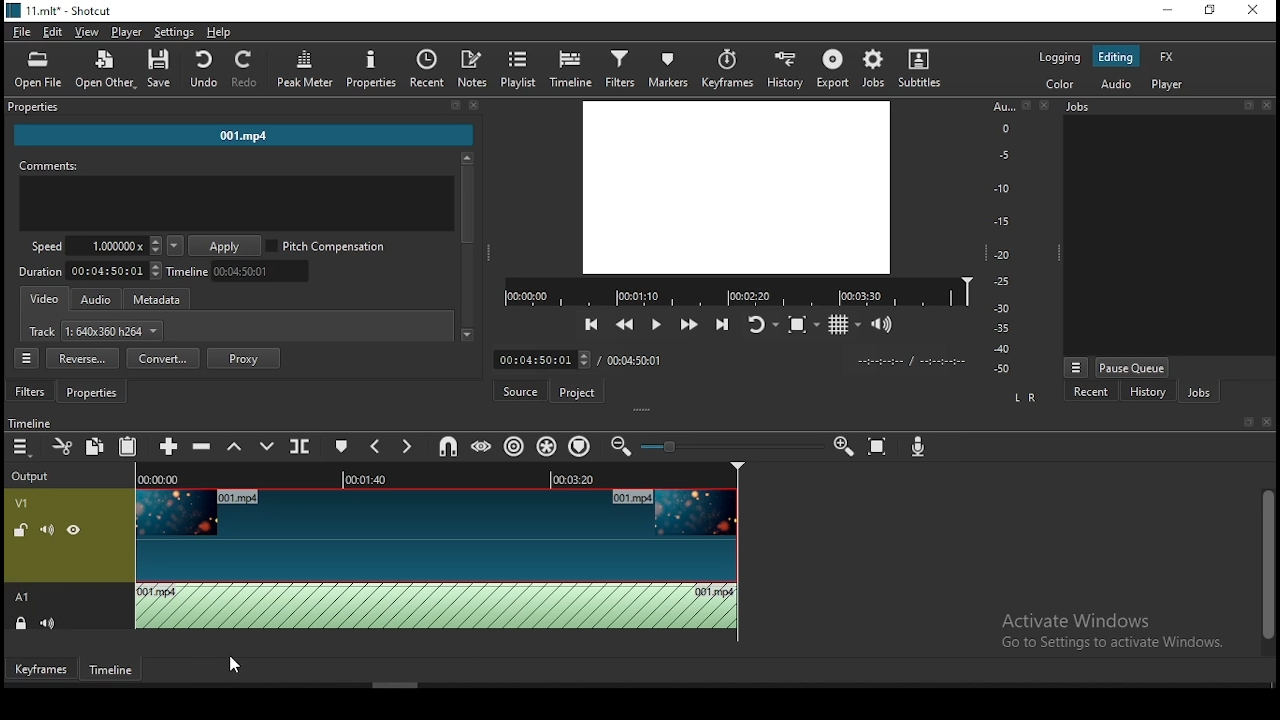  Describe the element at coordinates (1059, 58) in the screenshot. I see `logging` at that location.